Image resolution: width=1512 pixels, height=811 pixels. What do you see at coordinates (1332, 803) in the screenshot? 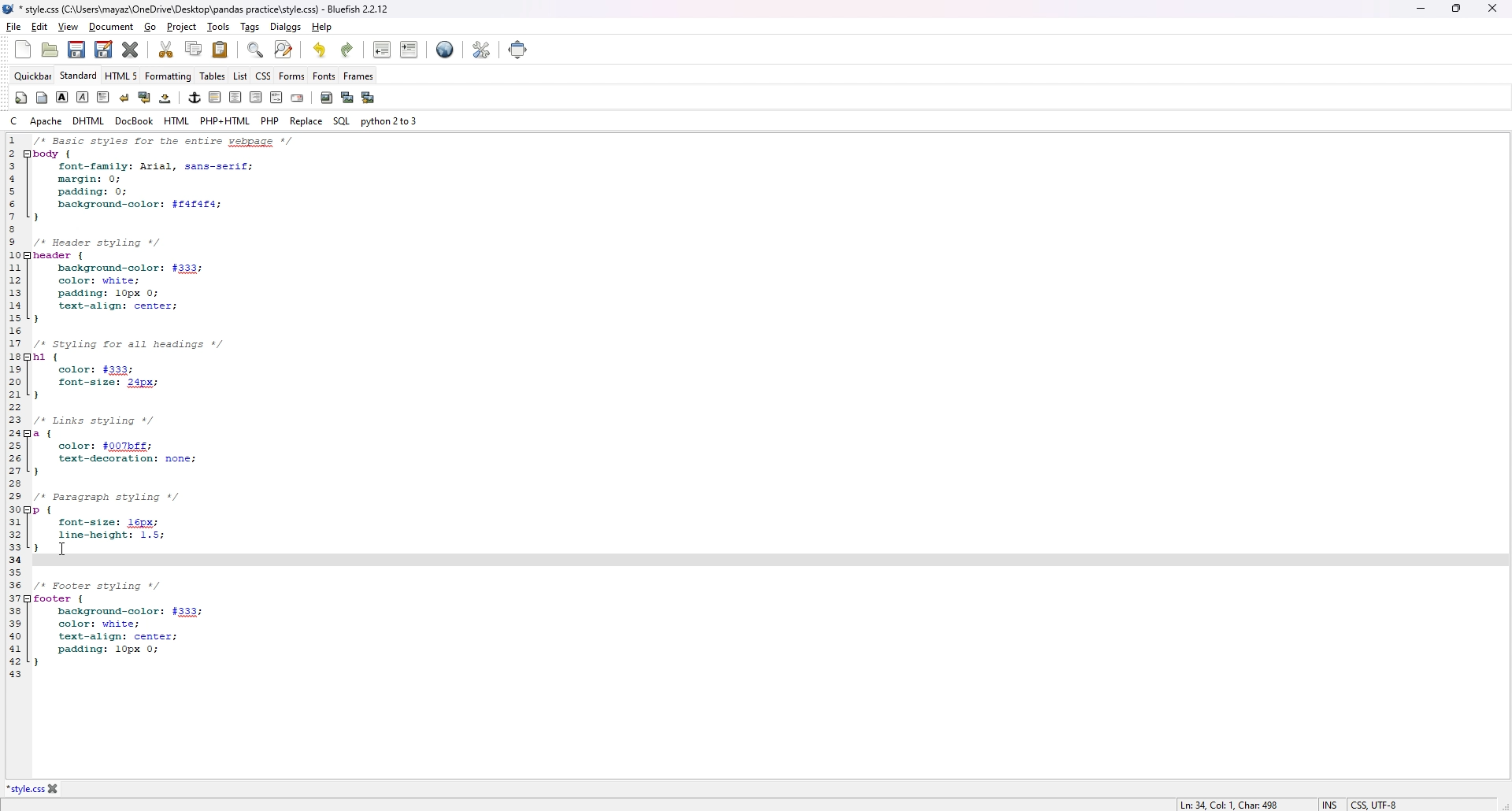
I see `INS` at bounding box center [1332, 803].